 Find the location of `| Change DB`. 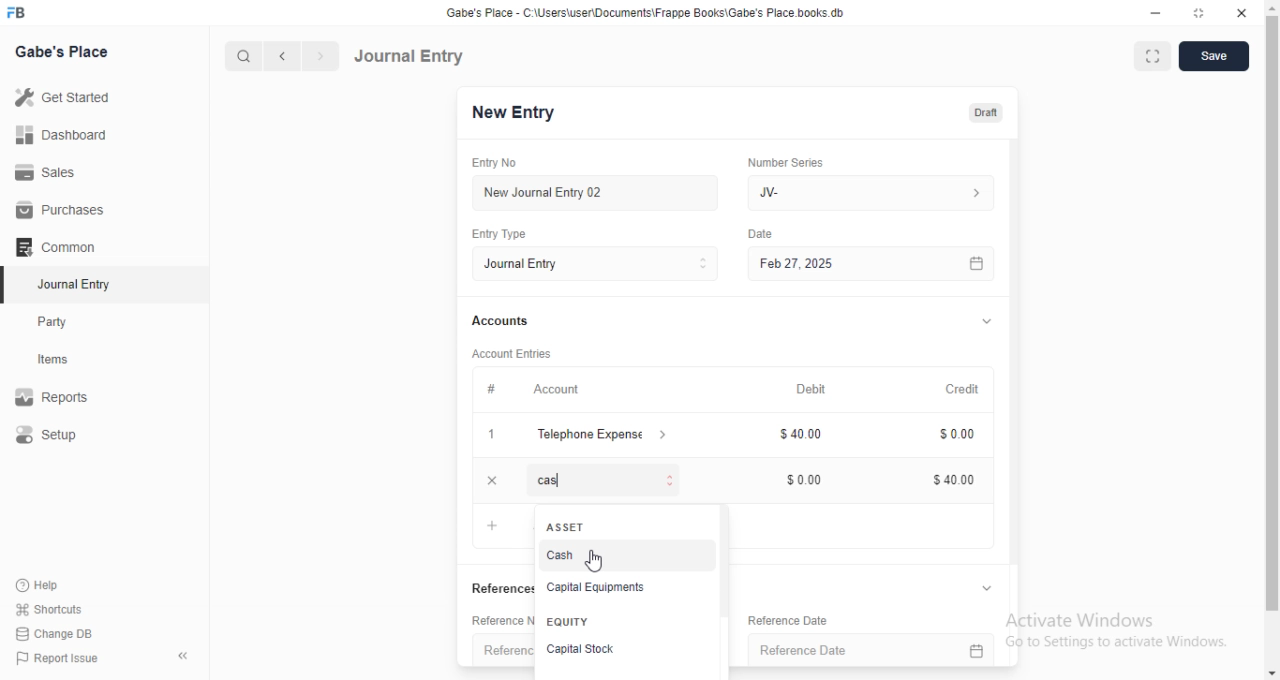

| Change DB is located at coordinates (55, 632).